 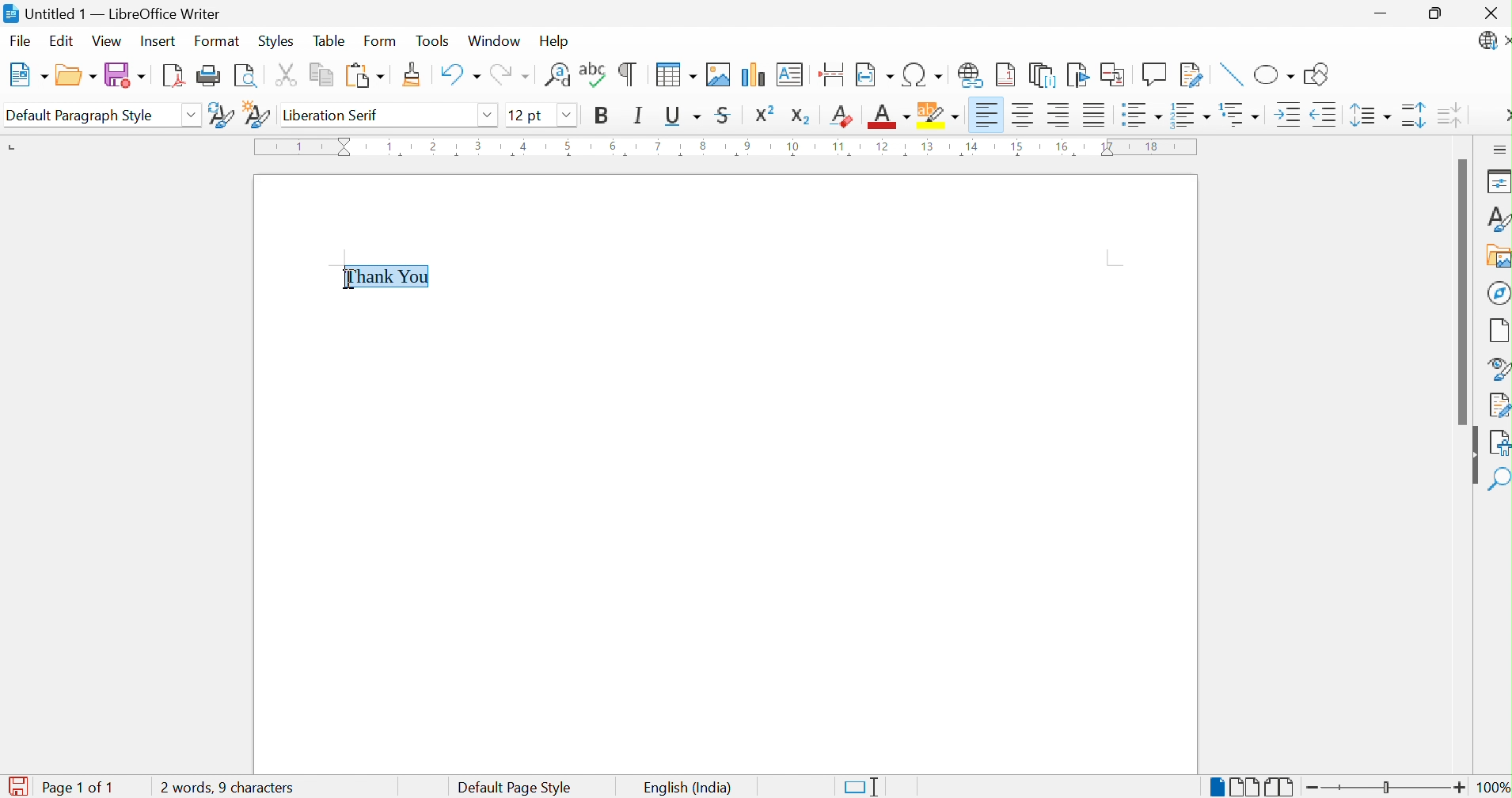 I want to click on Restore Down, so click(x=1437, y=13).